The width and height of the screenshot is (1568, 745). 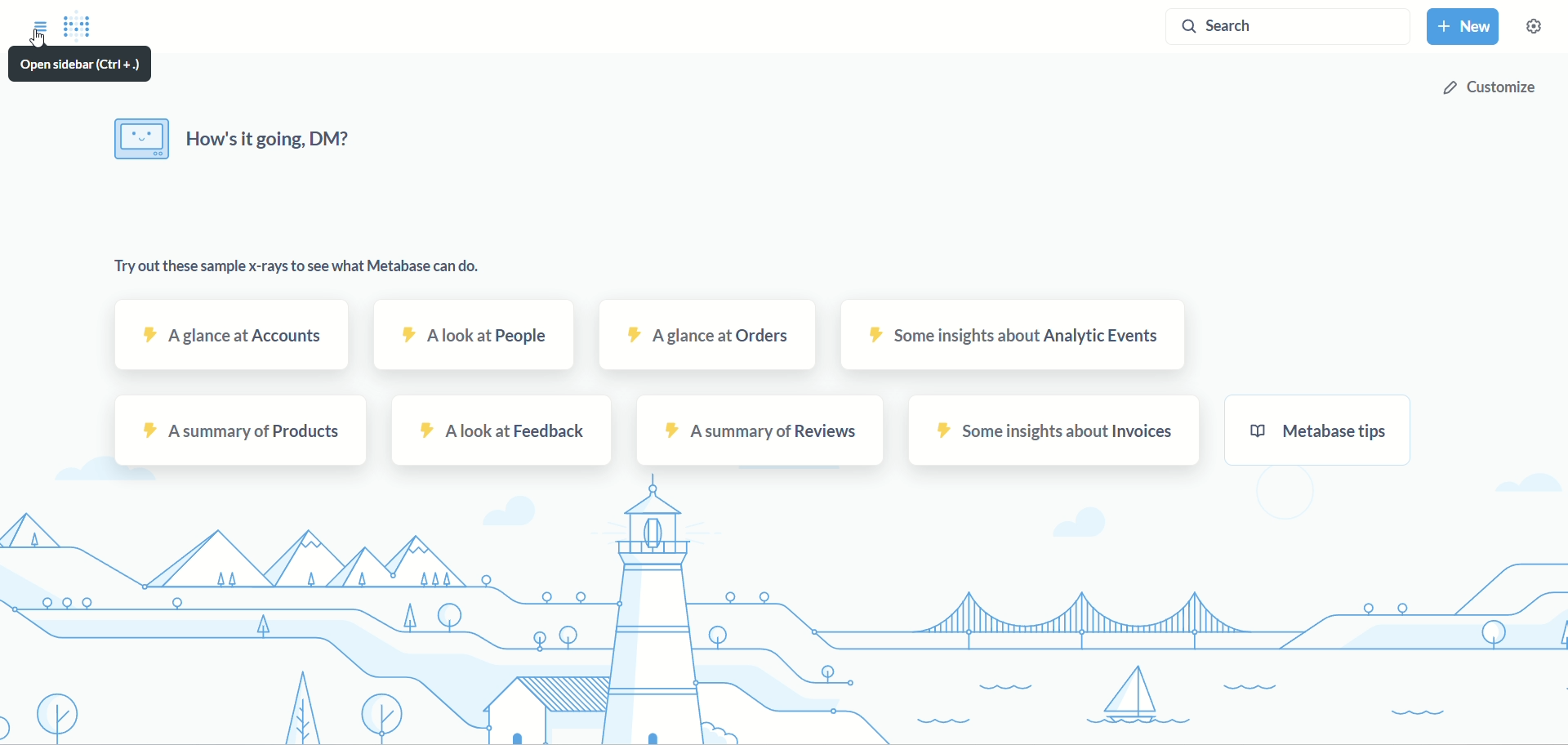 I want to click on some insights about invoices, so click(x=1057, y=430).